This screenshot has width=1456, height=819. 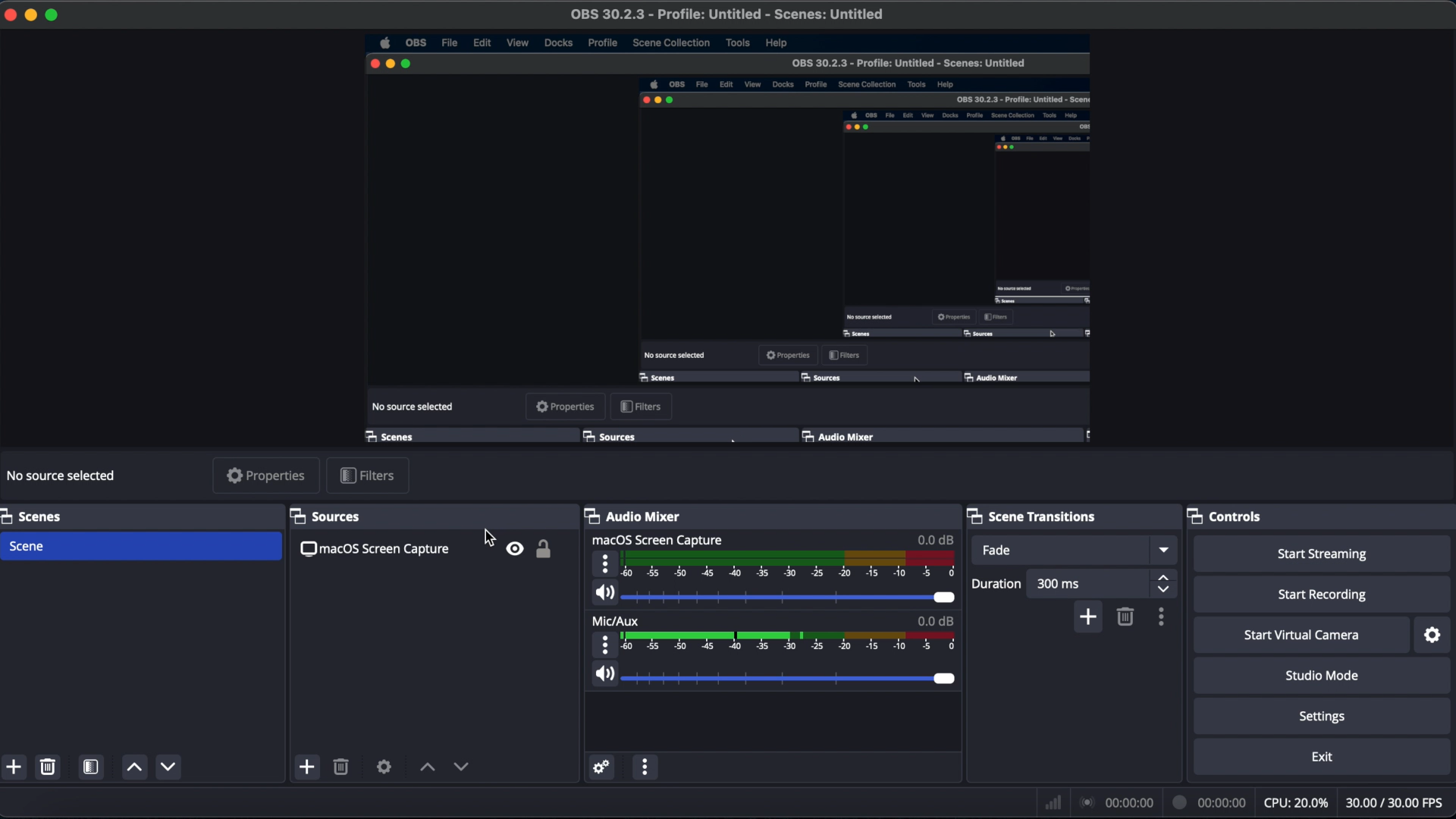 What do you see at coordinates (547, 550) in the screenshot?
I see `lock toggle` at bounding box center [547, 550].